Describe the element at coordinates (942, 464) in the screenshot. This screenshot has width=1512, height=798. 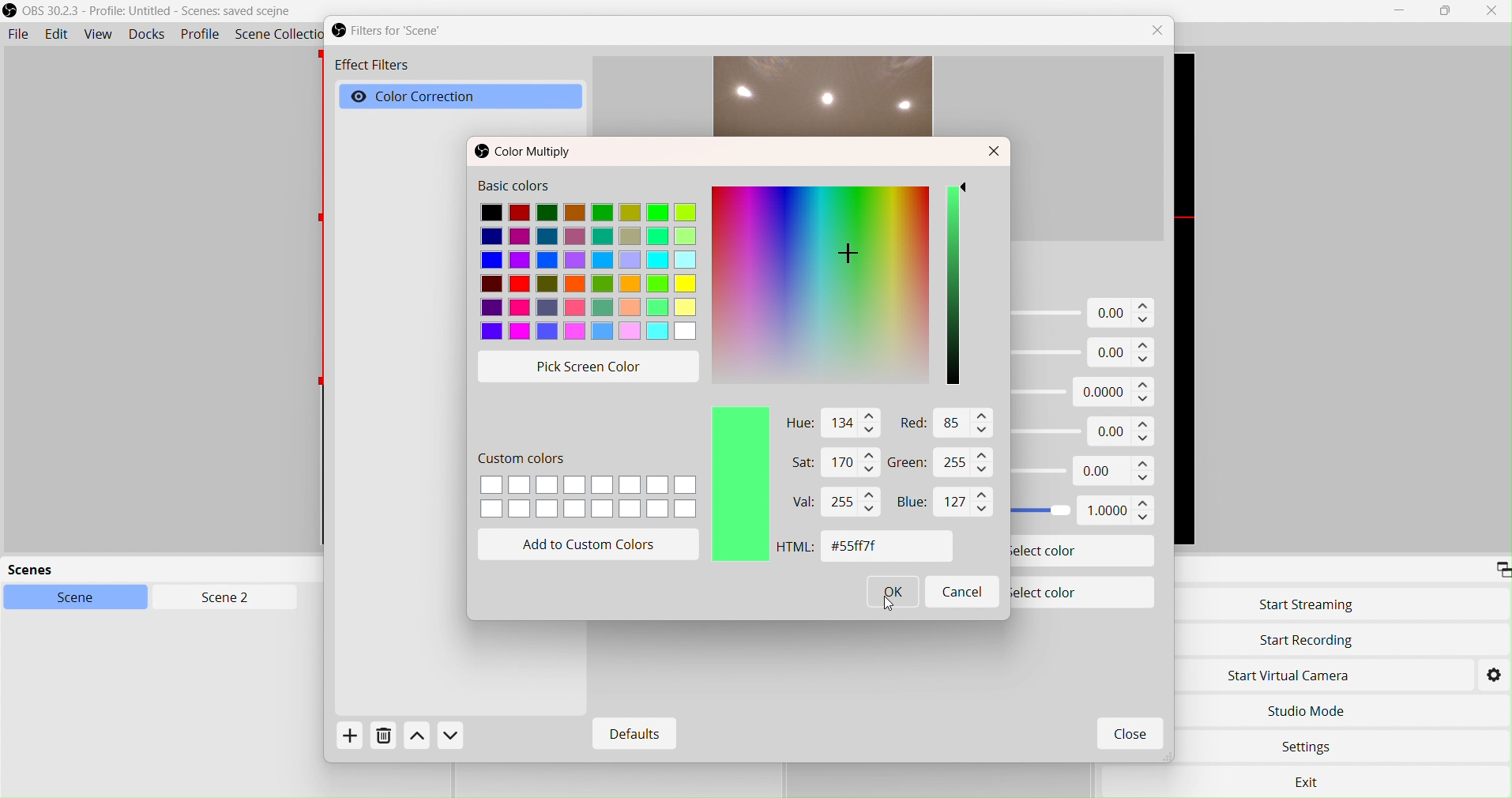
I see `Green: 255` at that location.